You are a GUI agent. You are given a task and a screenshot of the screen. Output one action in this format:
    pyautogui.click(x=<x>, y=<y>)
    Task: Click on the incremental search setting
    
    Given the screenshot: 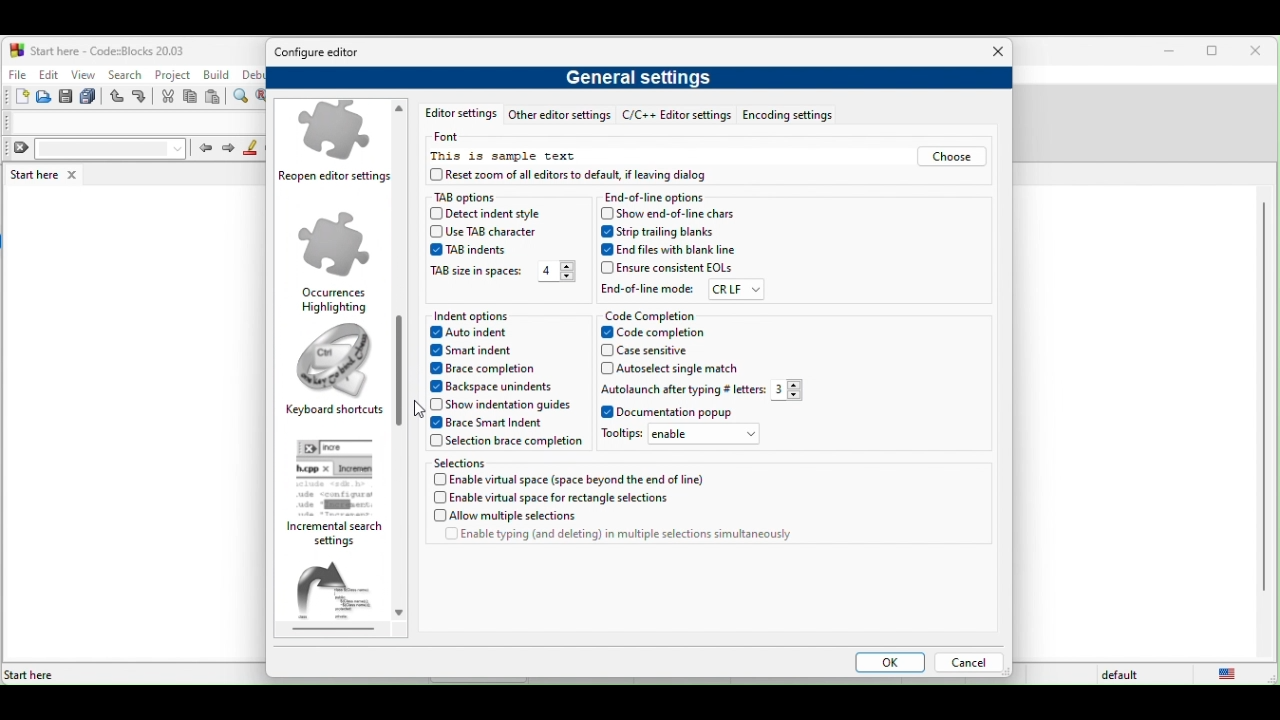 What is the action you would take?
    pyautogui.click(x=341, y=493)
    